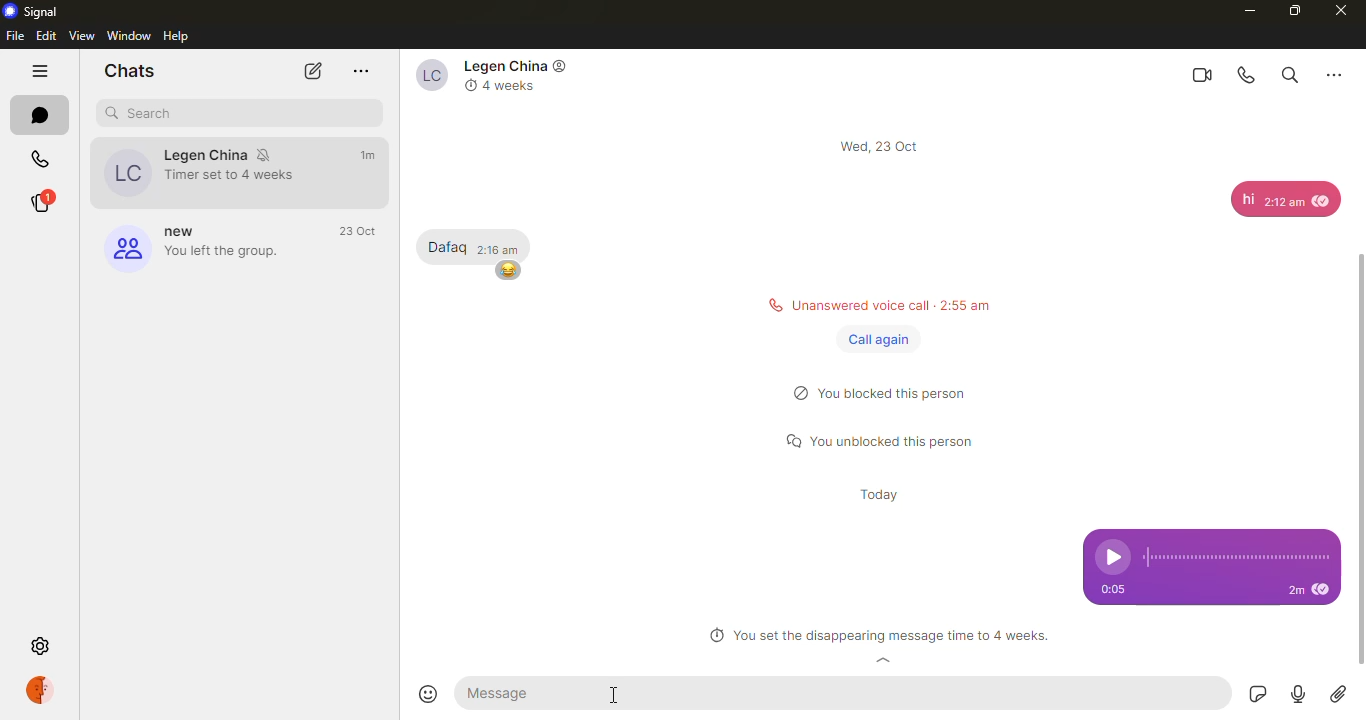 This screenshot has height=720, width=1366. I want to click on emoji, so click(431, 694).